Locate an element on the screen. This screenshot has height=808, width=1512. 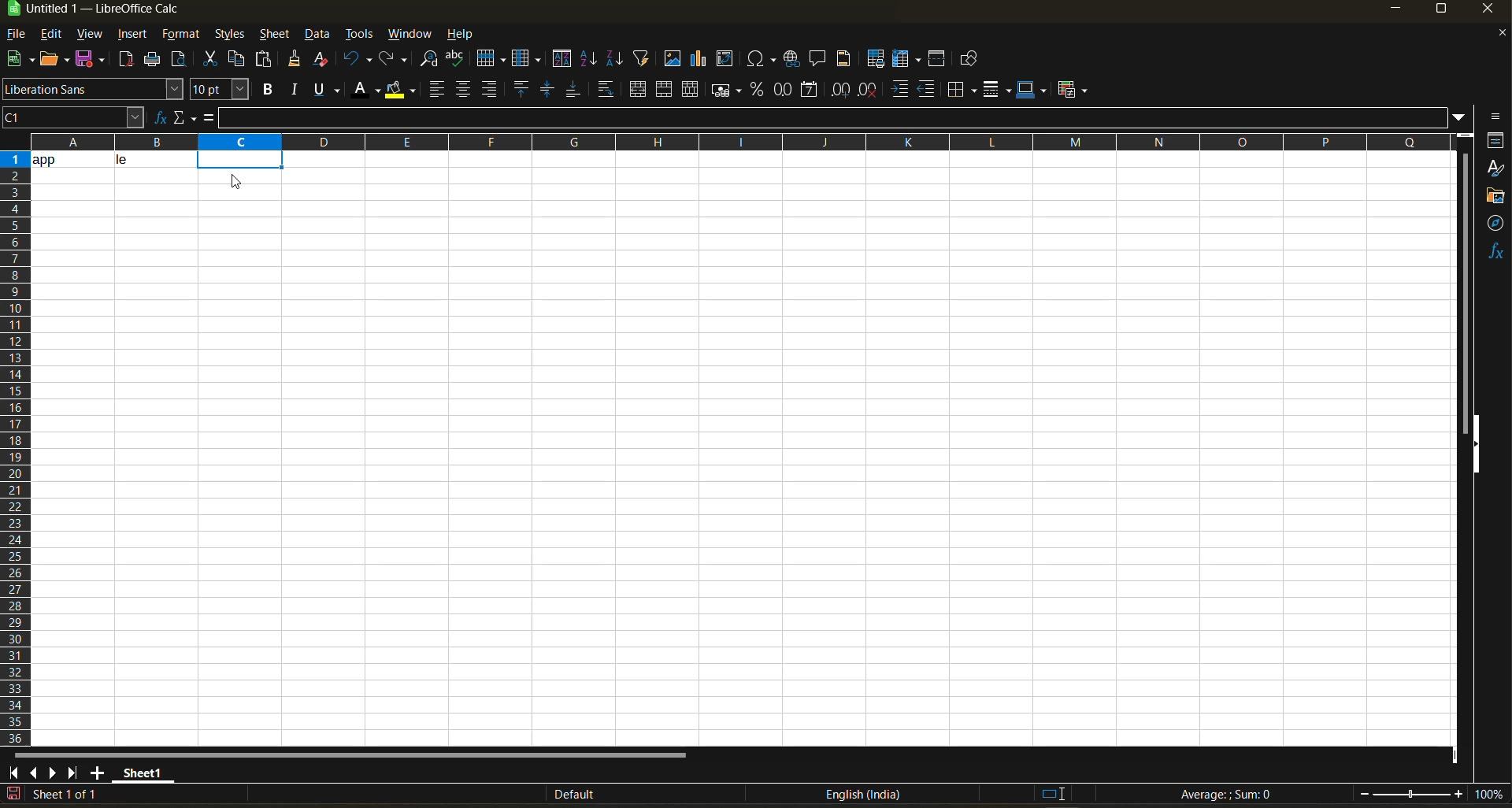
align left is located at coordinates (439, 90).